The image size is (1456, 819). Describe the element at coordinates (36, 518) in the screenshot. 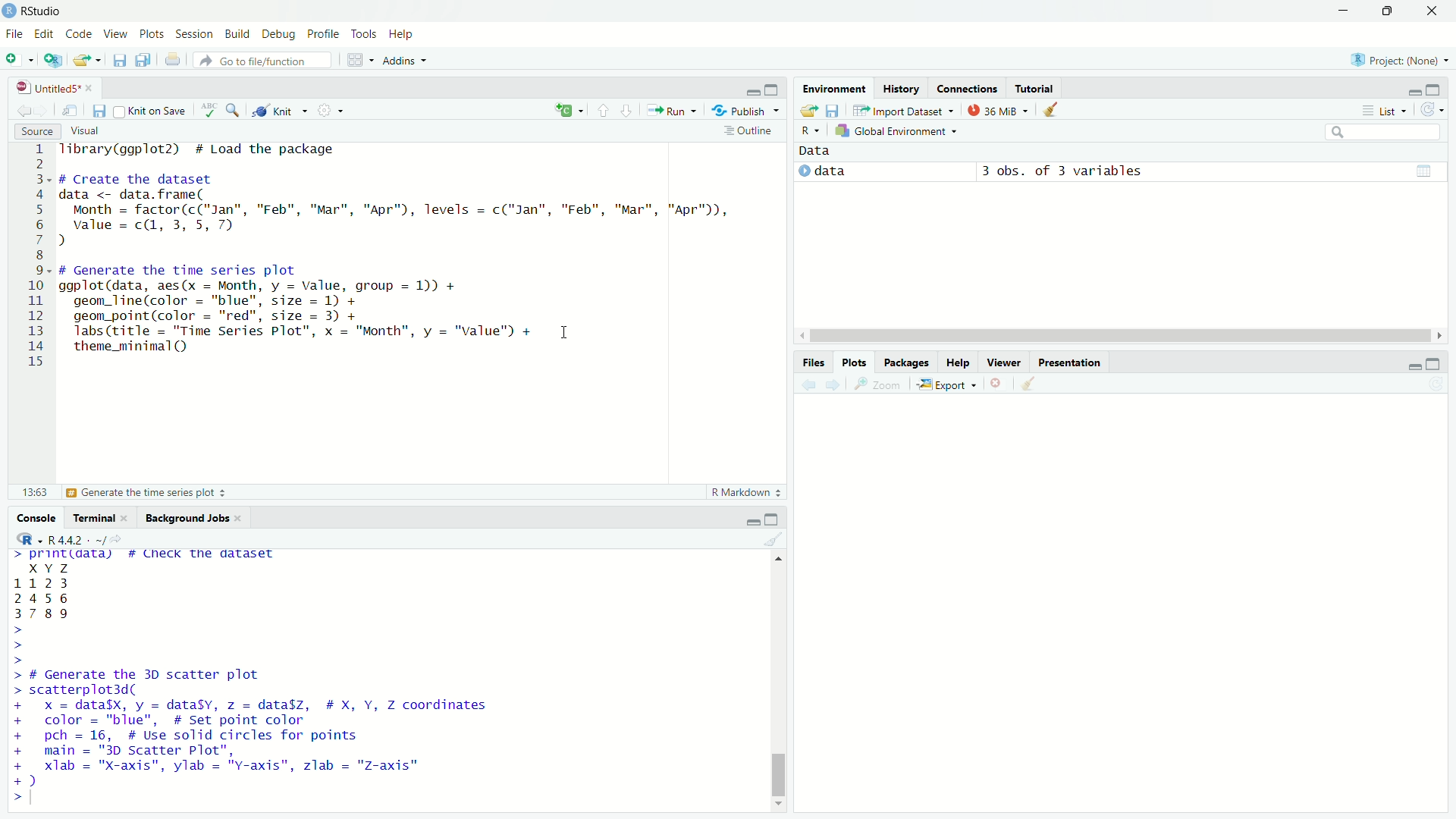

I see `Console` at that location.